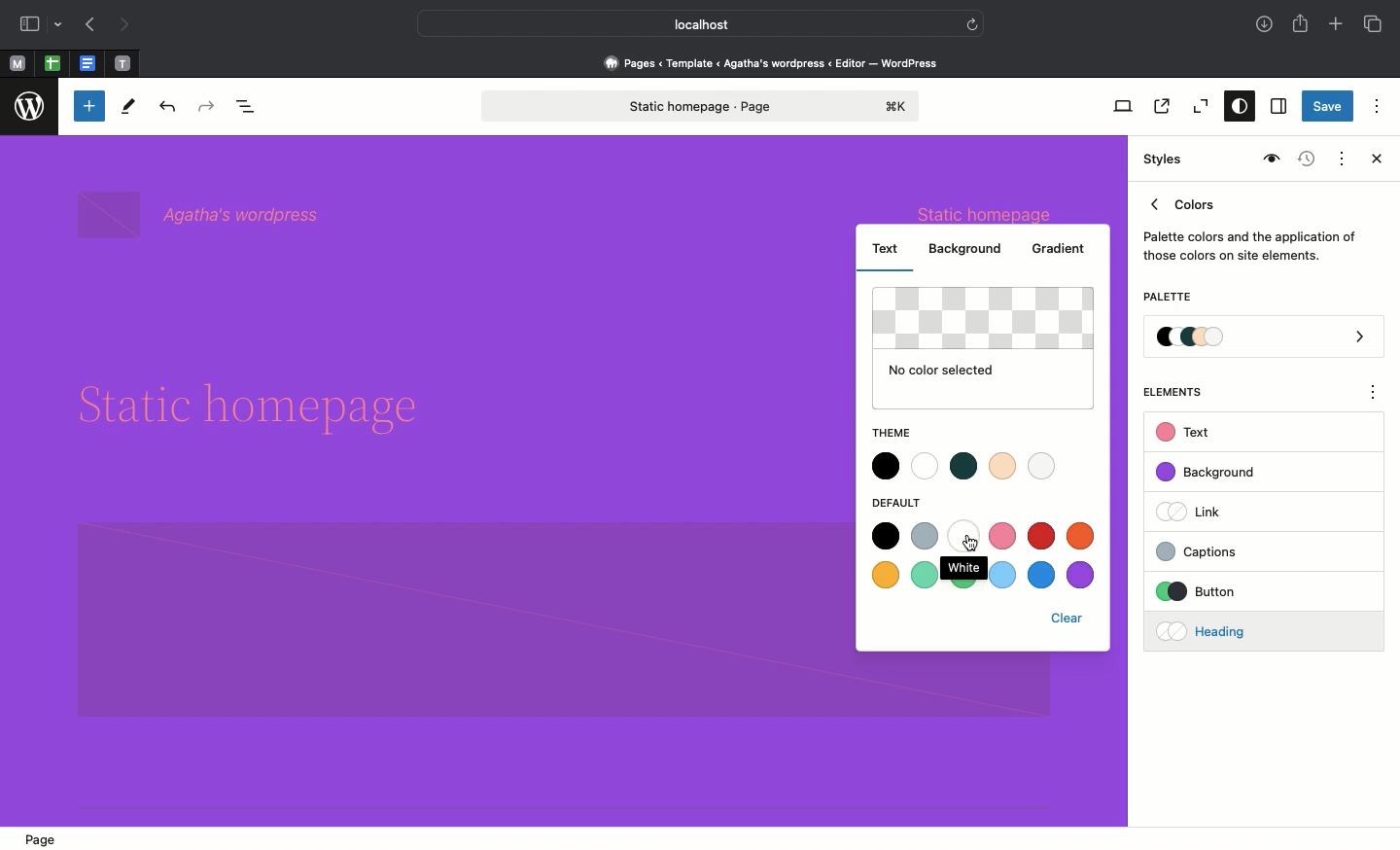 The width and height of the screenshot is (1400, 850). Describe the element at coordinates (972, 542) in the screenshot. I see `cursor` at that location.